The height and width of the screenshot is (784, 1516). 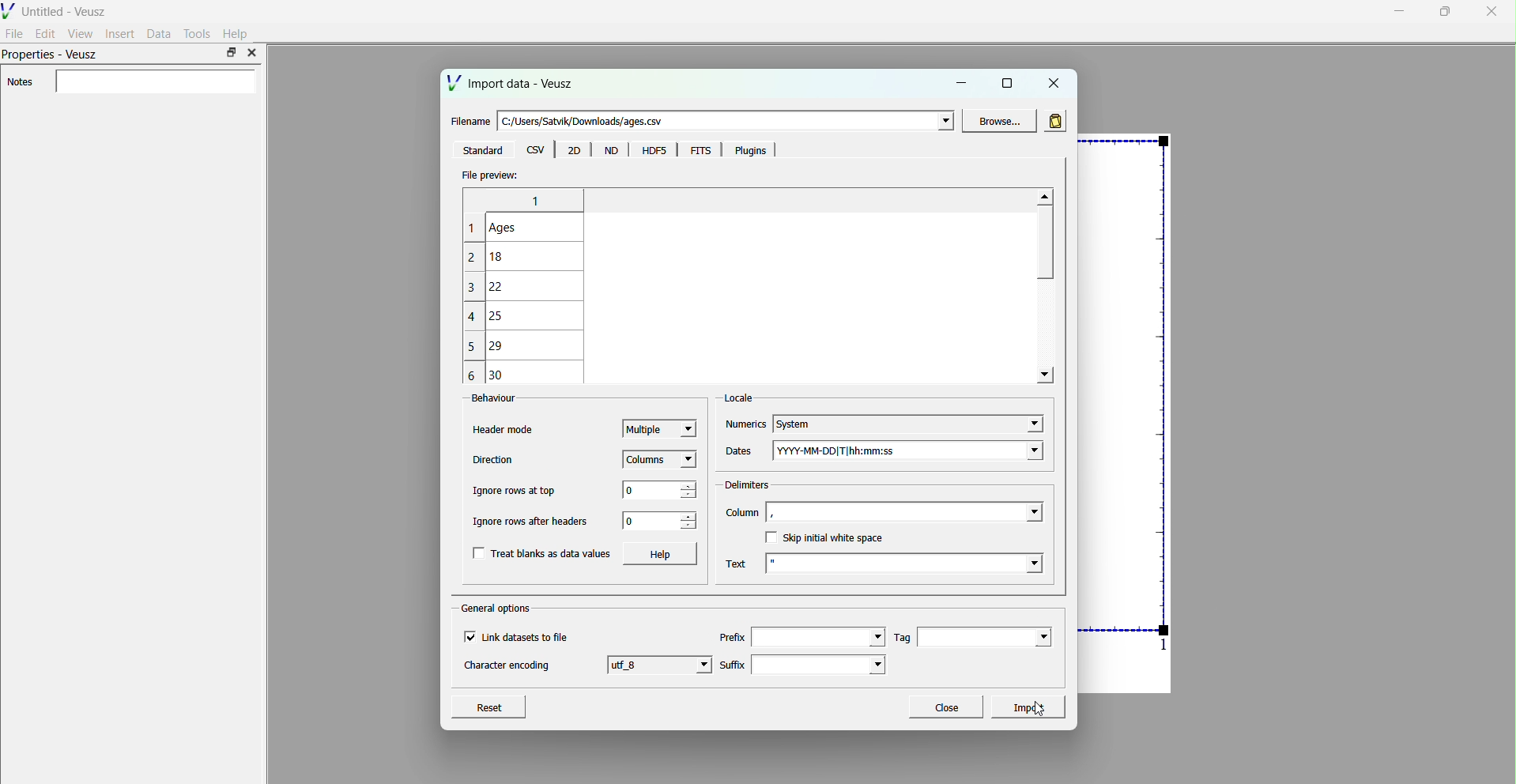 What do you see at coordinates (747, 484) in the screenshot?
I see `Delimiters` at bounding box center [747, 484].